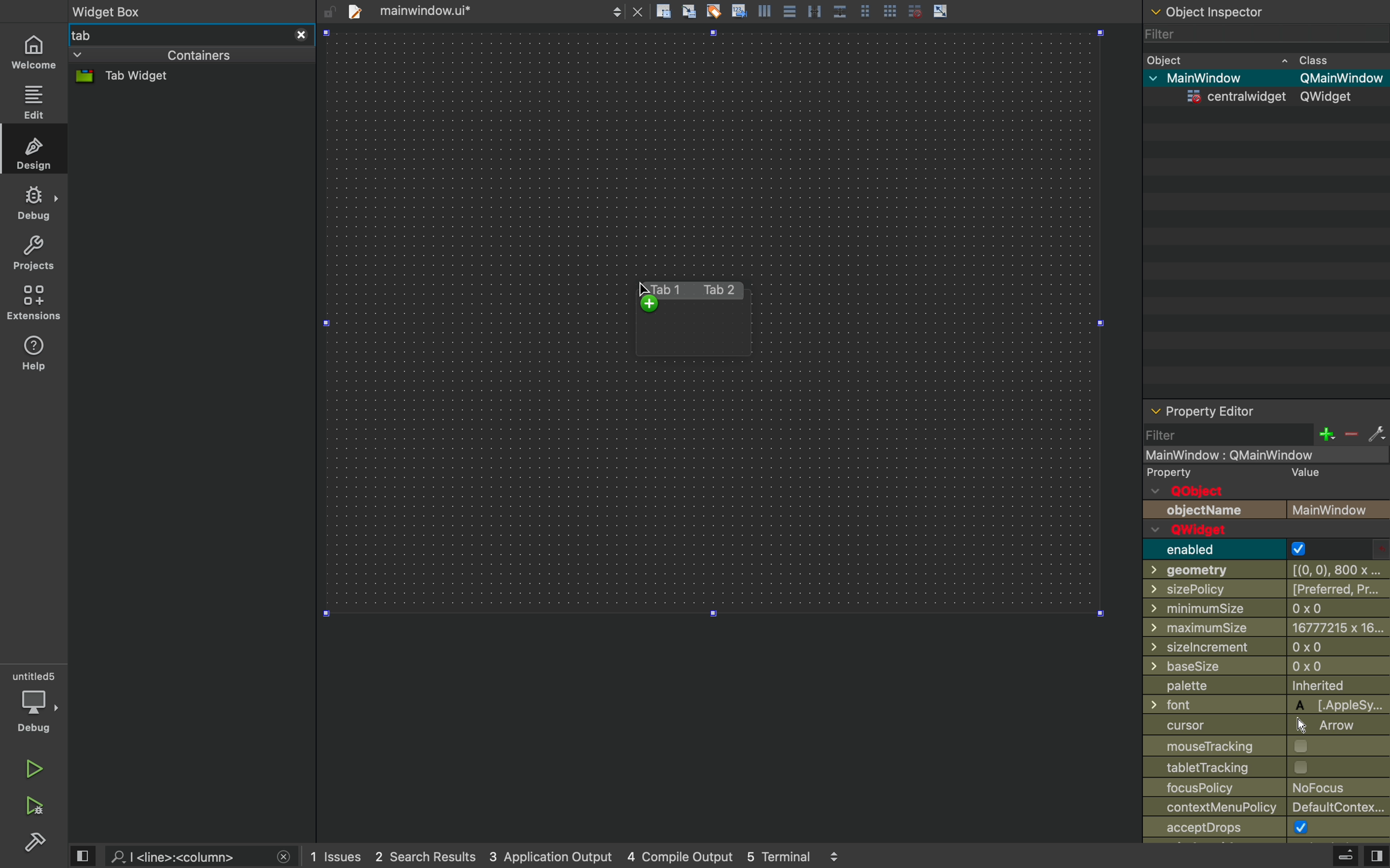 This screenshot has width=1390, height=868. I want to click on basesize, so click(1268, 669).